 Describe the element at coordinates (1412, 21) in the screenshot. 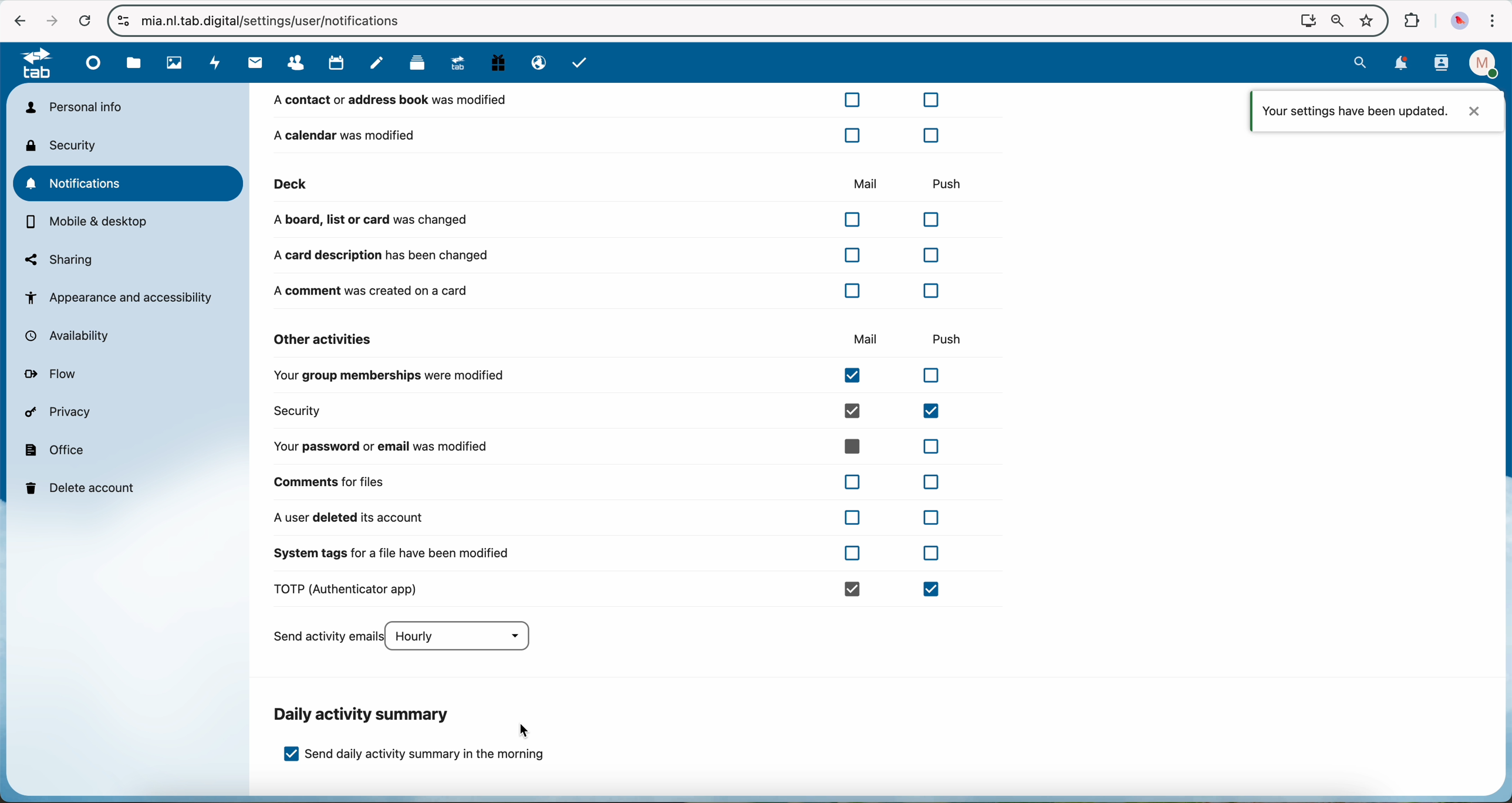

I see `extensions` at that location.